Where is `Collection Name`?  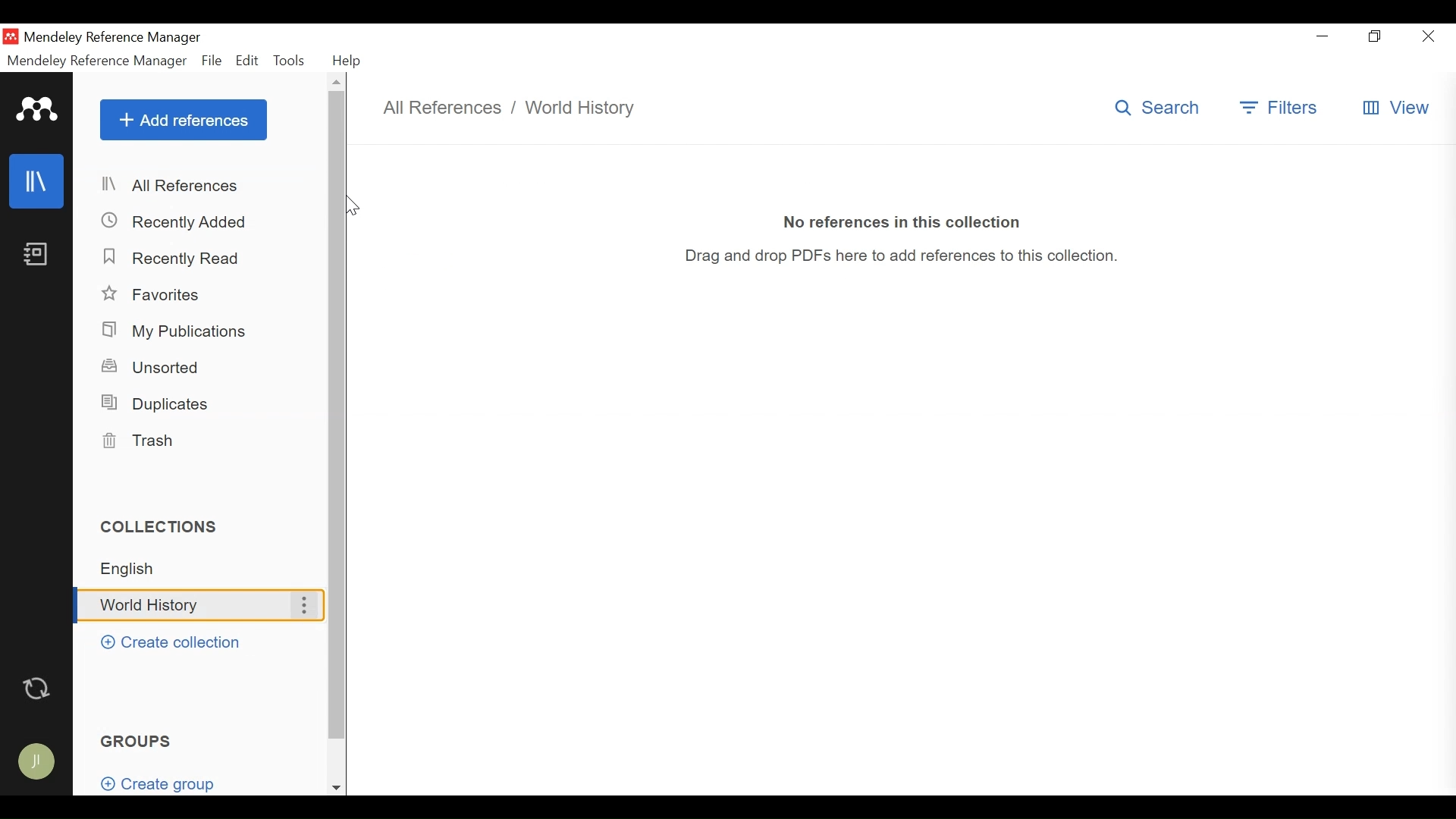
Collection Name is located at coordinates (176, 606).